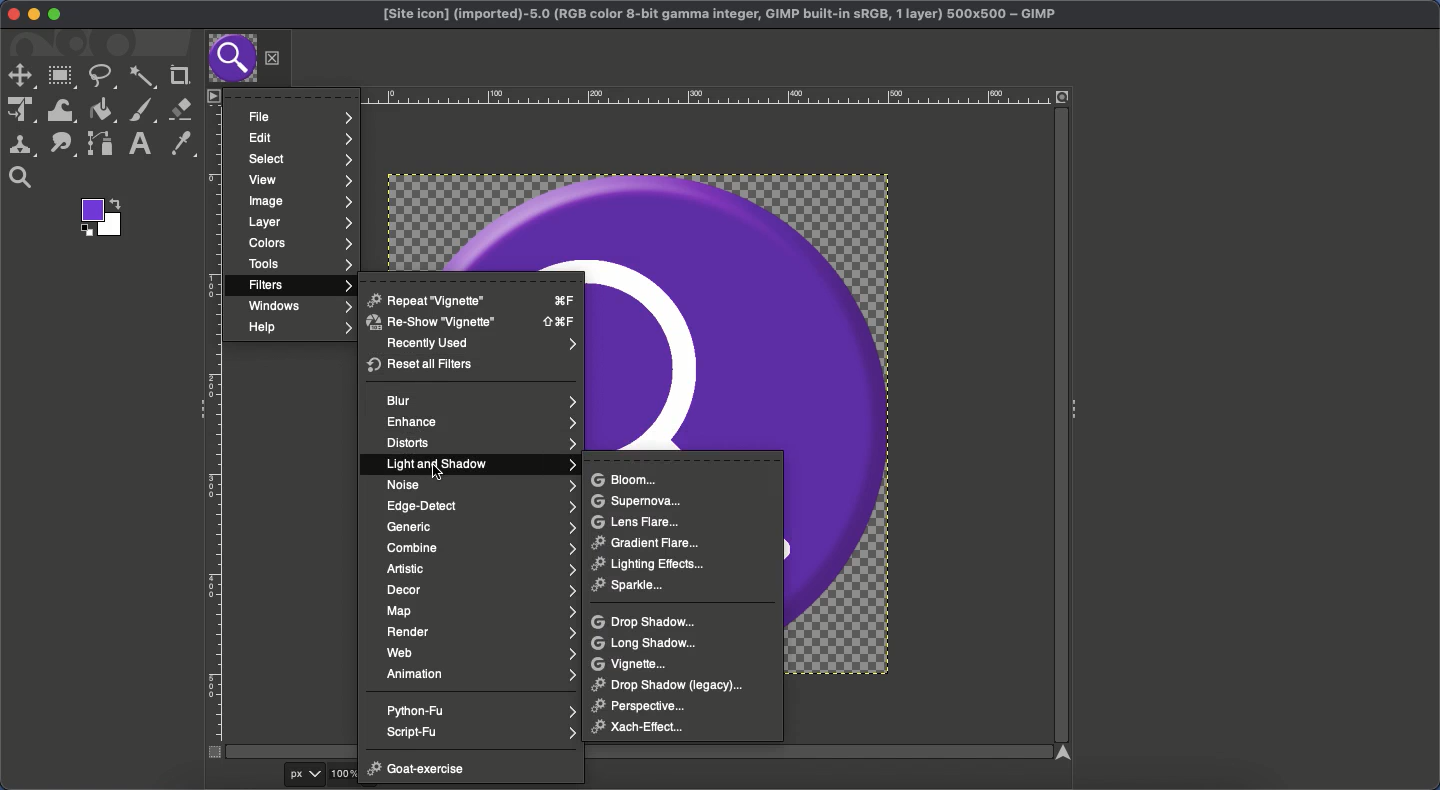  What do you see at coordinates (633, 96) in the screenshot?
I see `Ruler` at bounding box center [633, 96].